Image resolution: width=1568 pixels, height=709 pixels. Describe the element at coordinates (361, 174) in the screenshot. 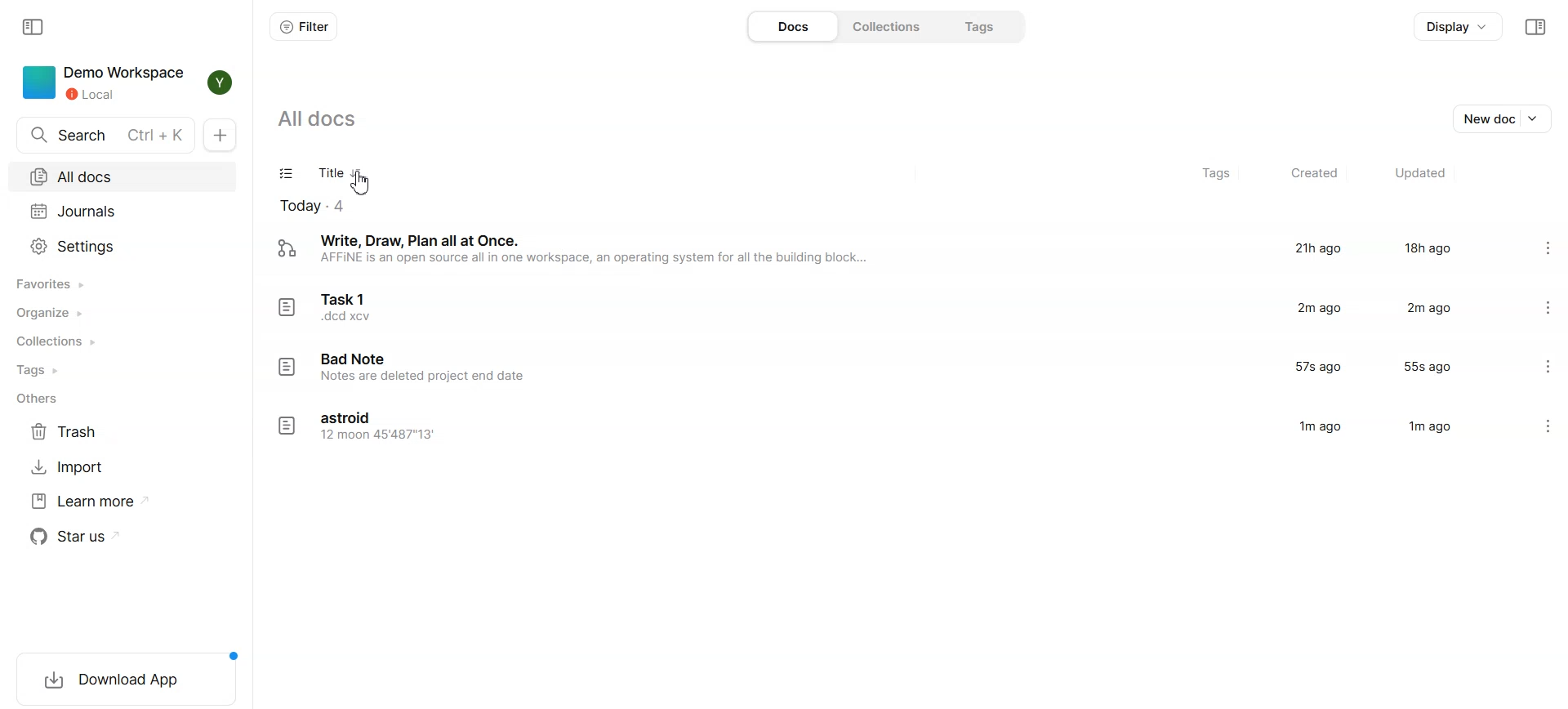

I see `Sort doc file` at that location.